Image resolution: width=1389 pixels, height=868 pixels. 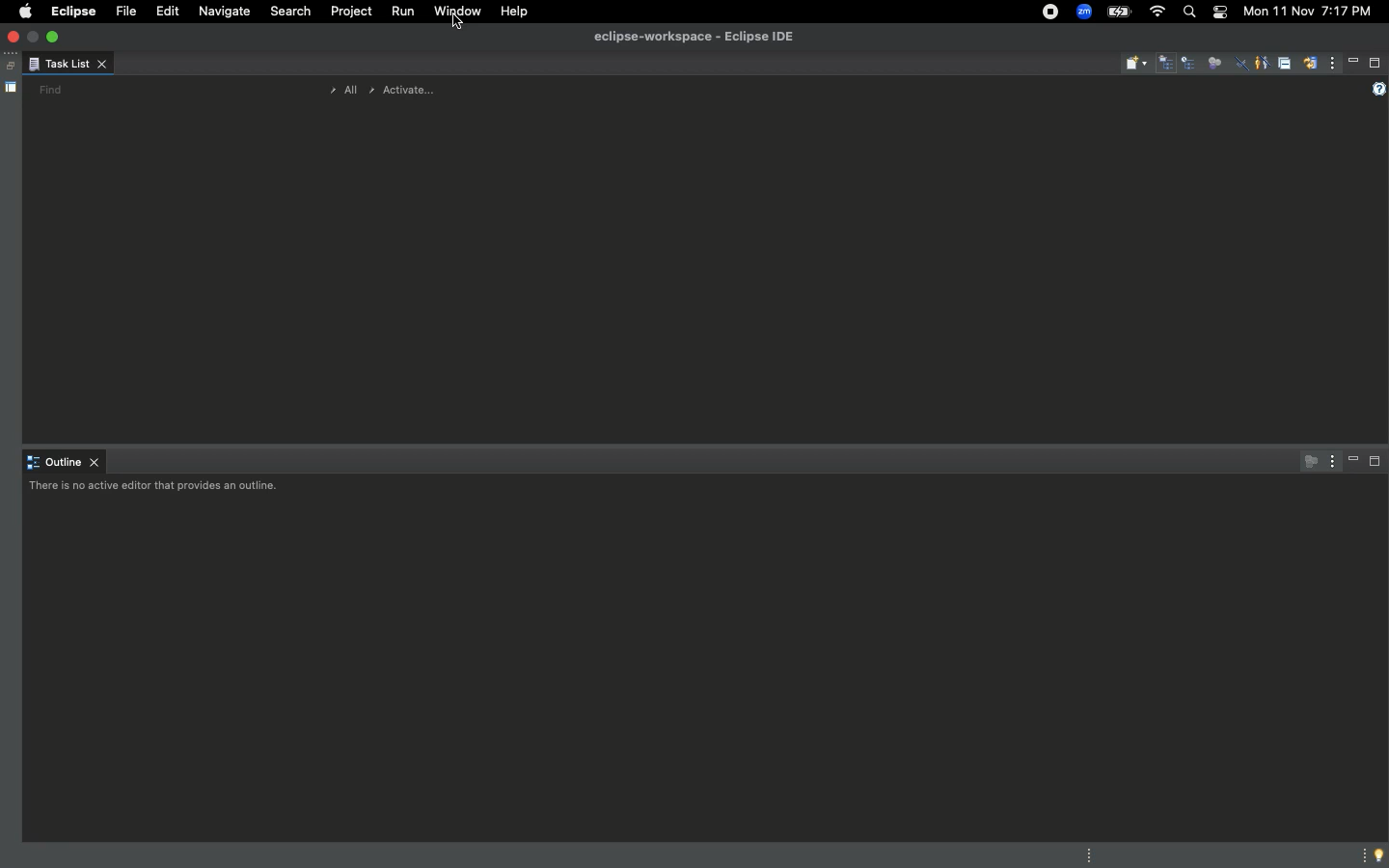 What do you see at coordinates (24, 11) in the screenshot?
I see `Apple logo` at bounding box center [24, 11].